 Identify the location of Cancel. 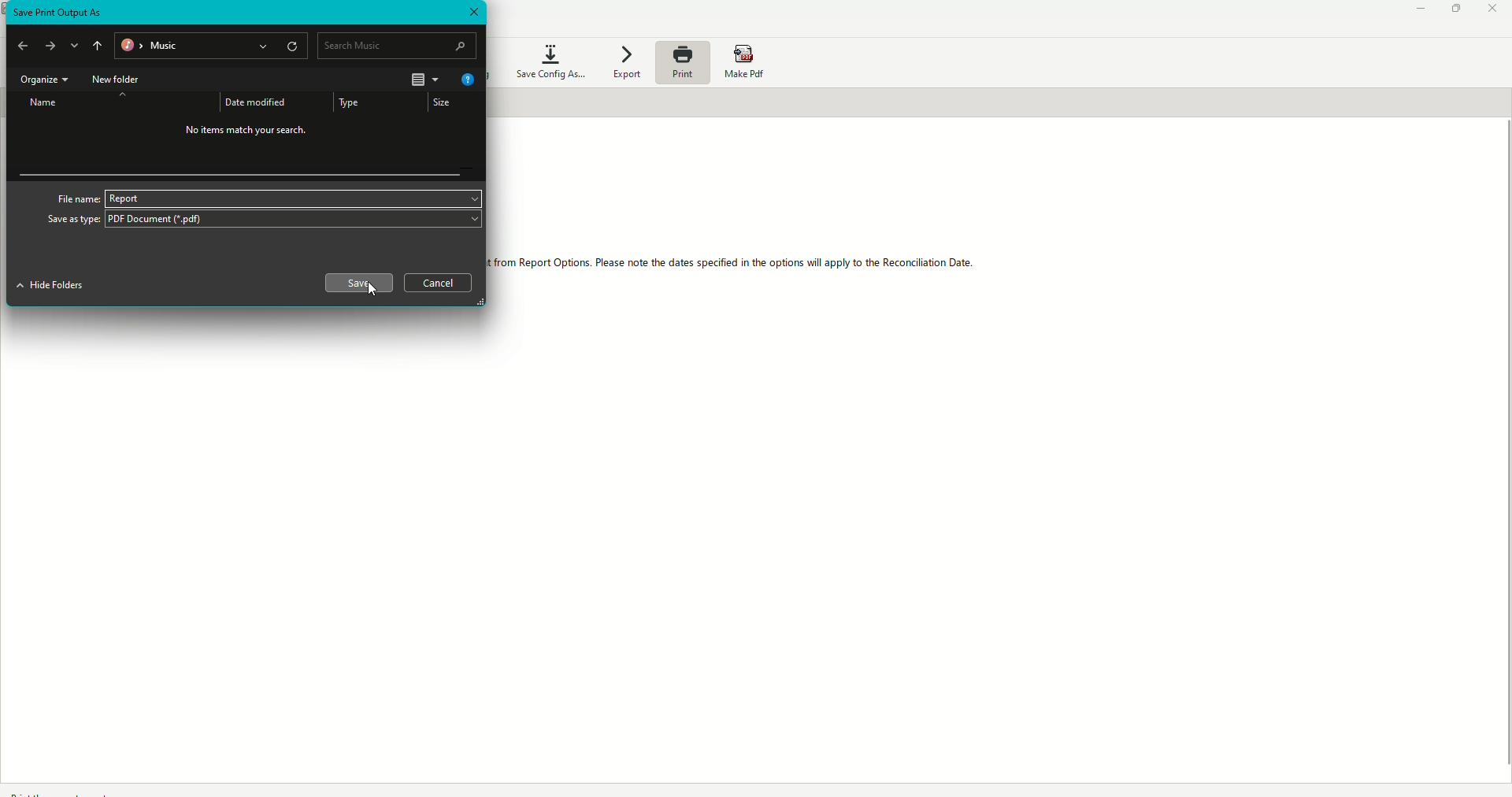
(439, 284).